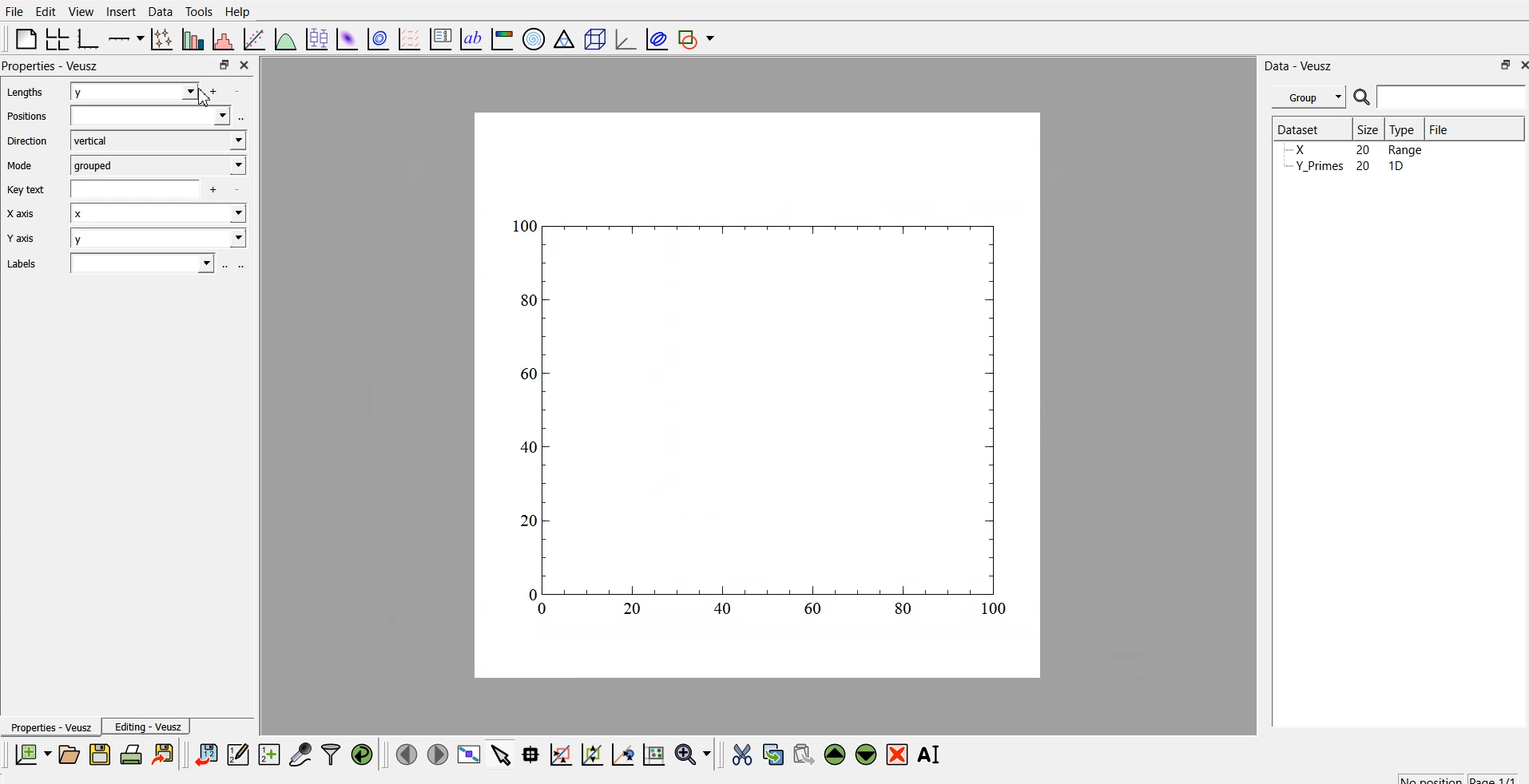 This screenshot has width=1529, height=784. Describe the element at coordinates (757, 396) in the screenshot. I see `canvas` at that location.